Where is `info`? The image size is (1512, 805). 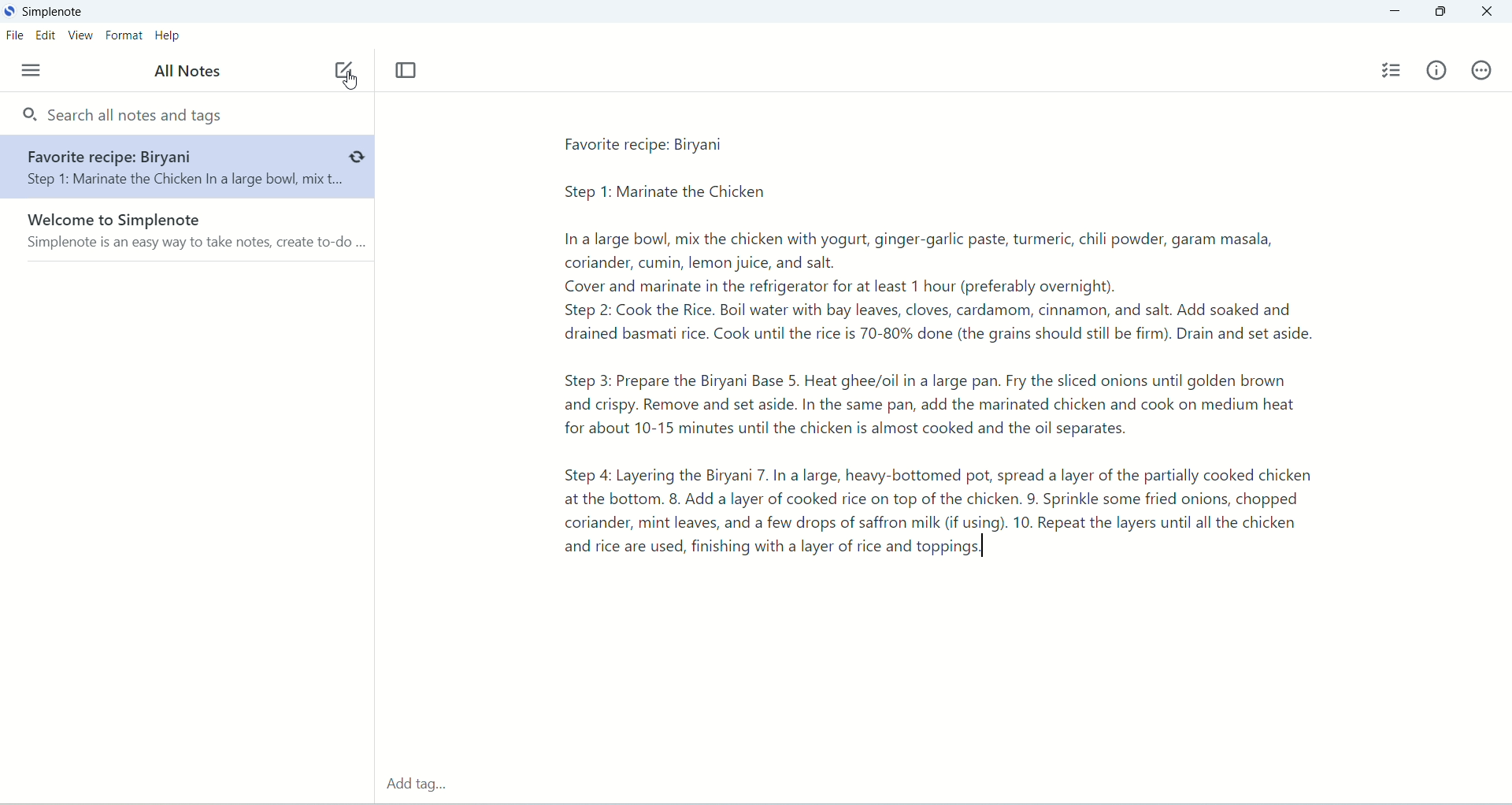 info is located at coordinates (1437, 73).